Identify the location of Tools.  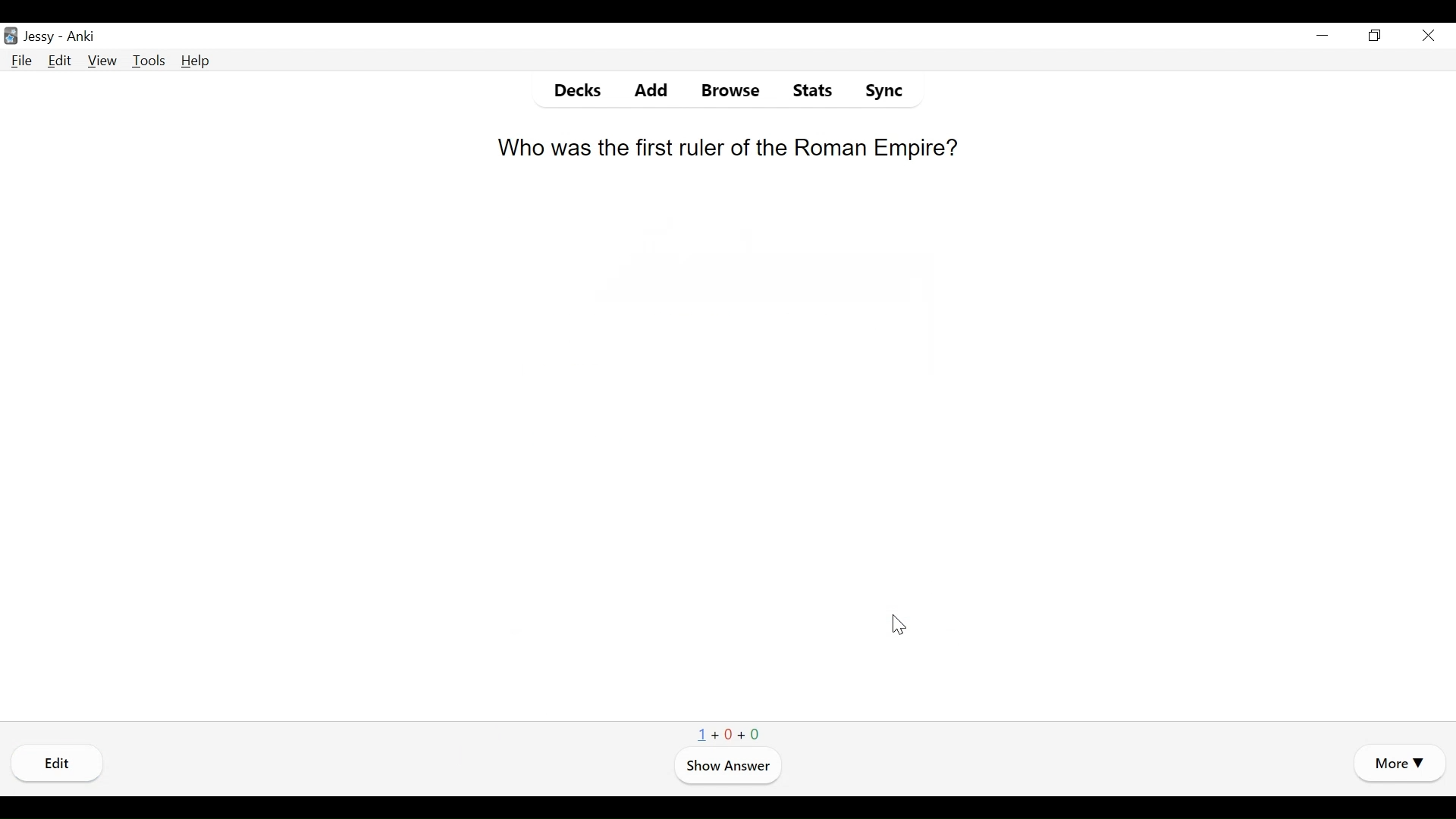
(149, 61).